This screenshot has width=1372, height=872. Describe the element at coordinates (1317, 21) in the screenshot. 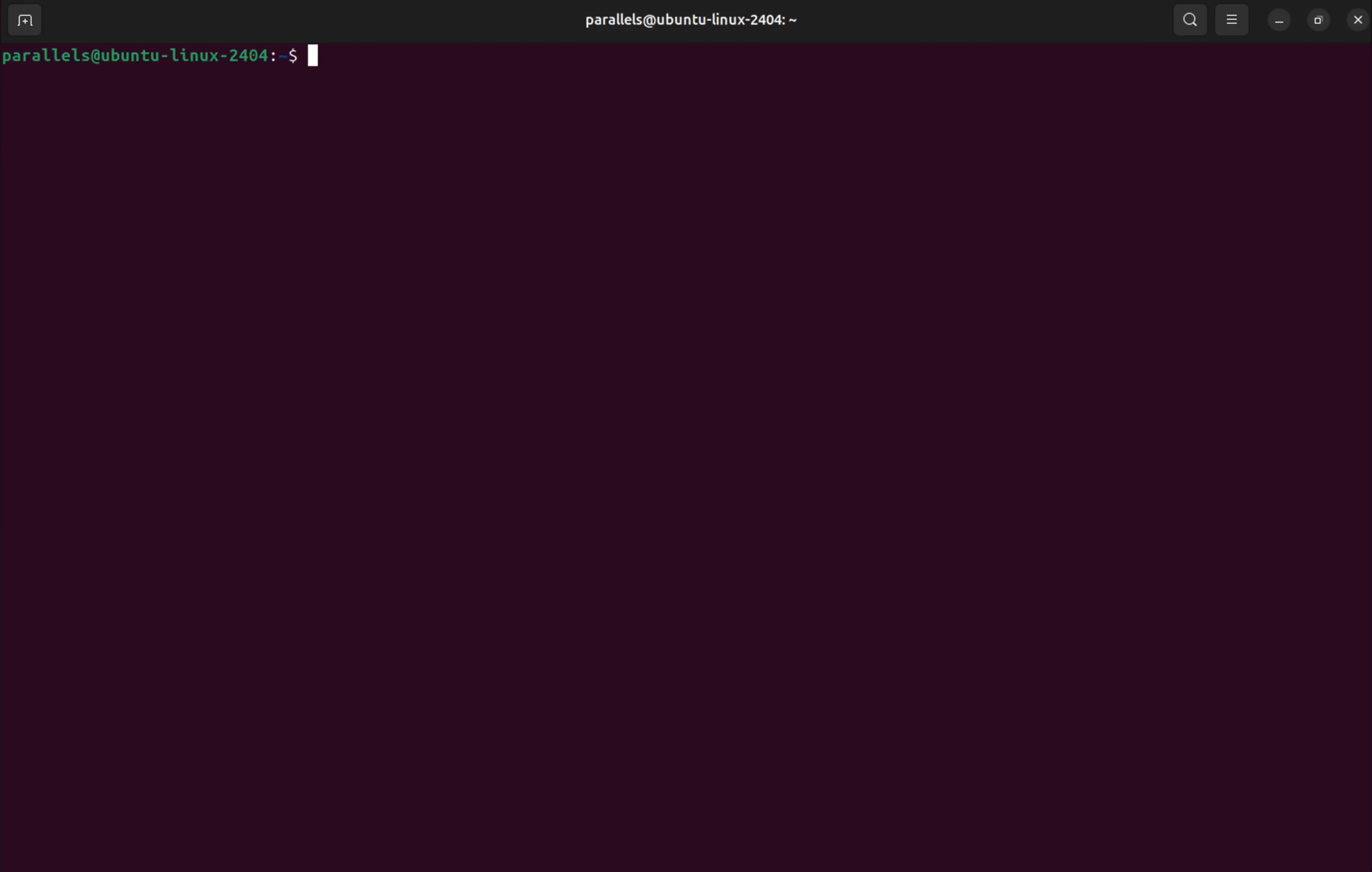

I see `resize` at that location.